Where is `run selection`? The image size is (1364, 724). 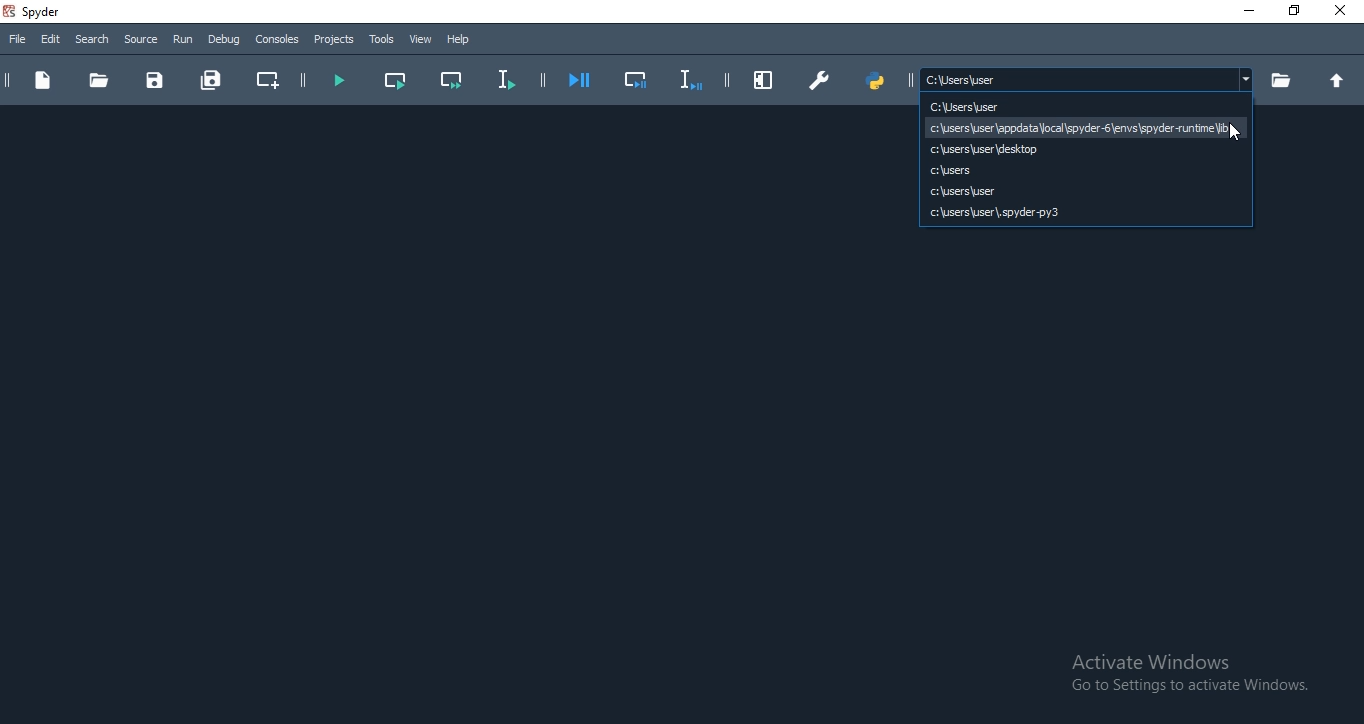 run selection is located at coordinates (505, 81).